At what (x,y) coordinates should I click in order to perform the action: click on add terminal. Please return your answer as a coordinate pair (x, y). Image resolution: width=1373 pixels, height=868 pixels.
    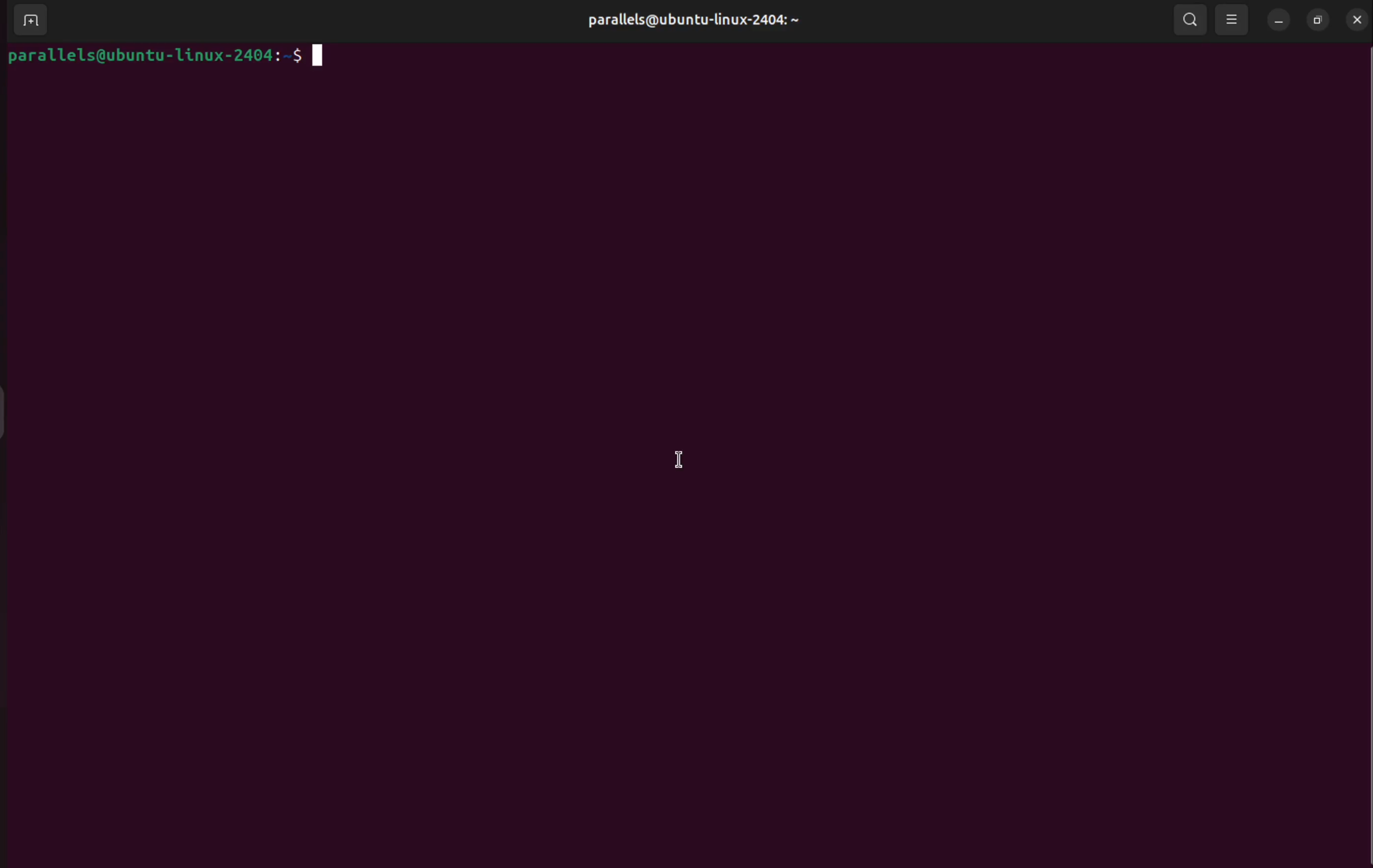
    Looking at the image, I should click on (27, 20).